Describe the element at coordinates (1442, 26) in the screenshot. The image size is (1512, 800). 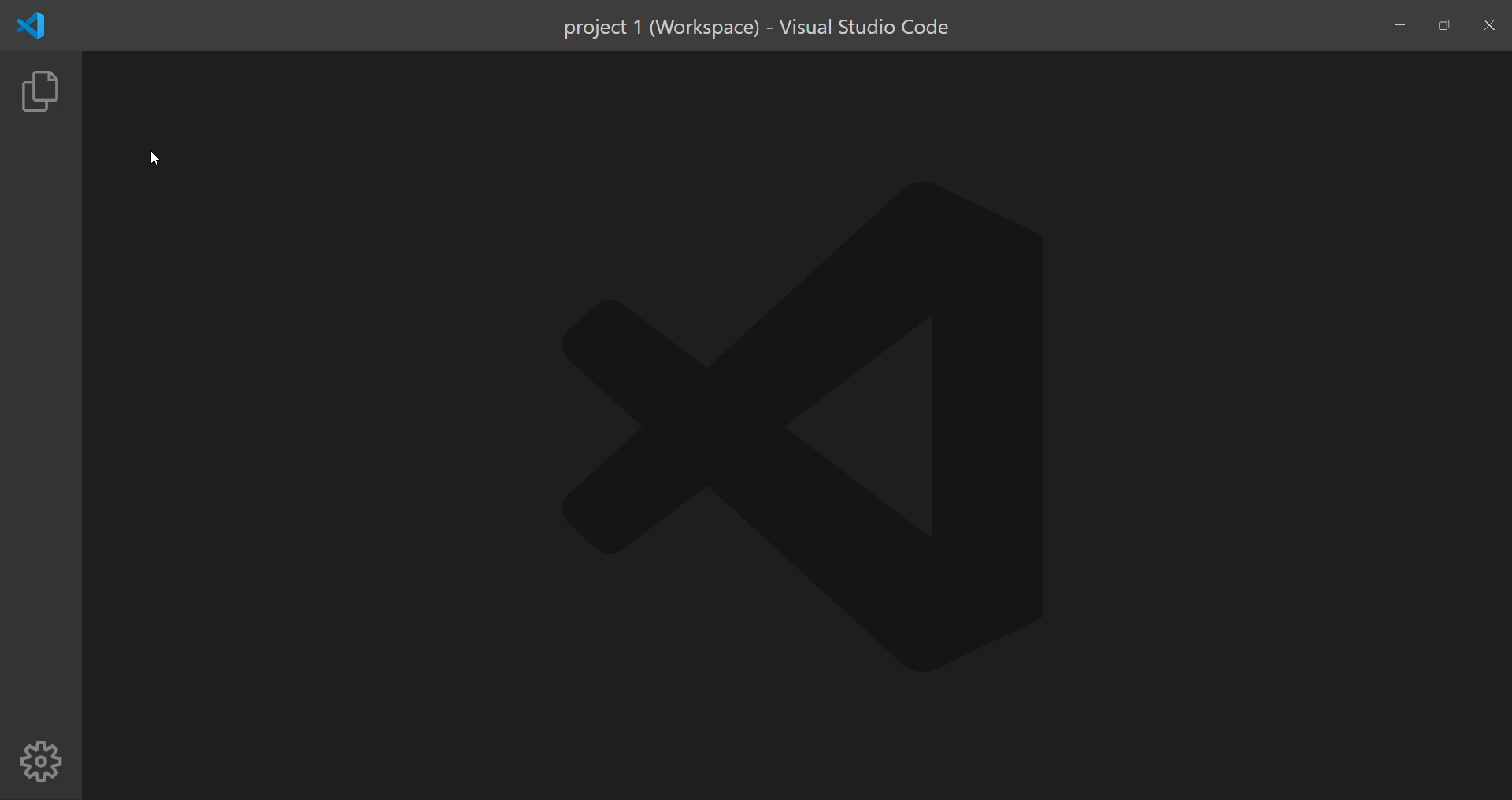
I see `maximize` at that location.